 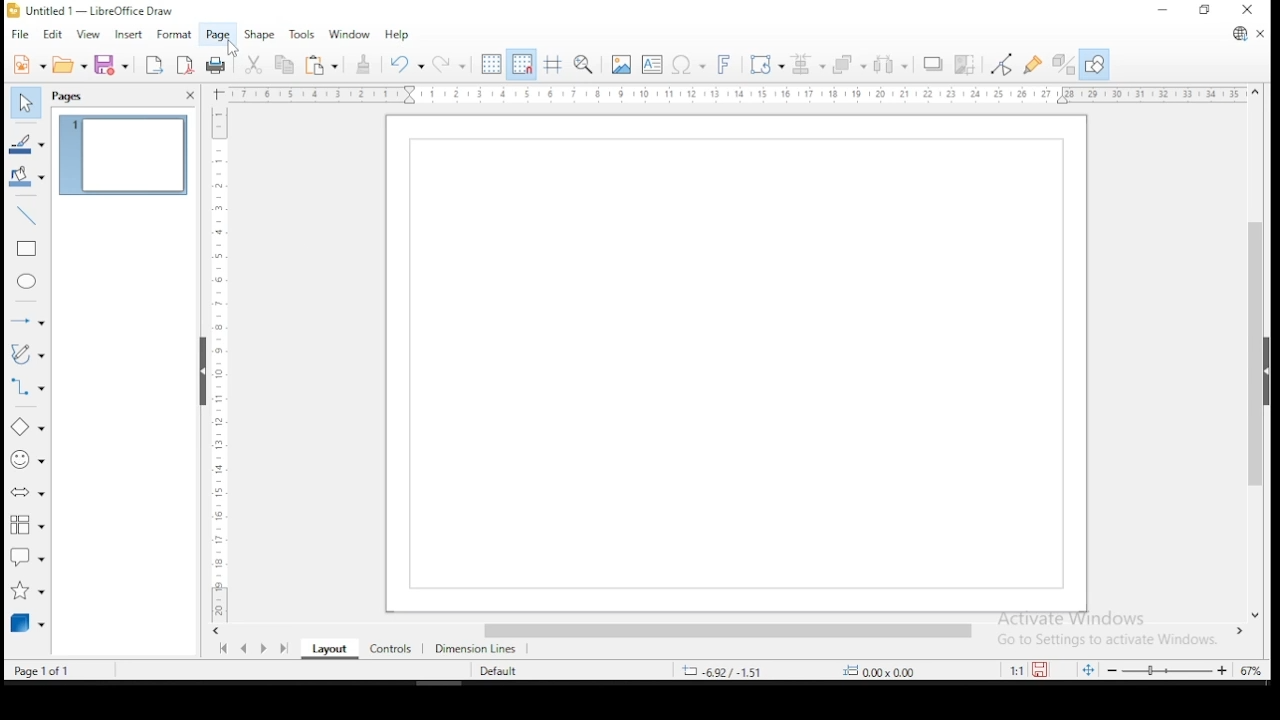 I want to click on 3D objects, so click(x=27, y=624).